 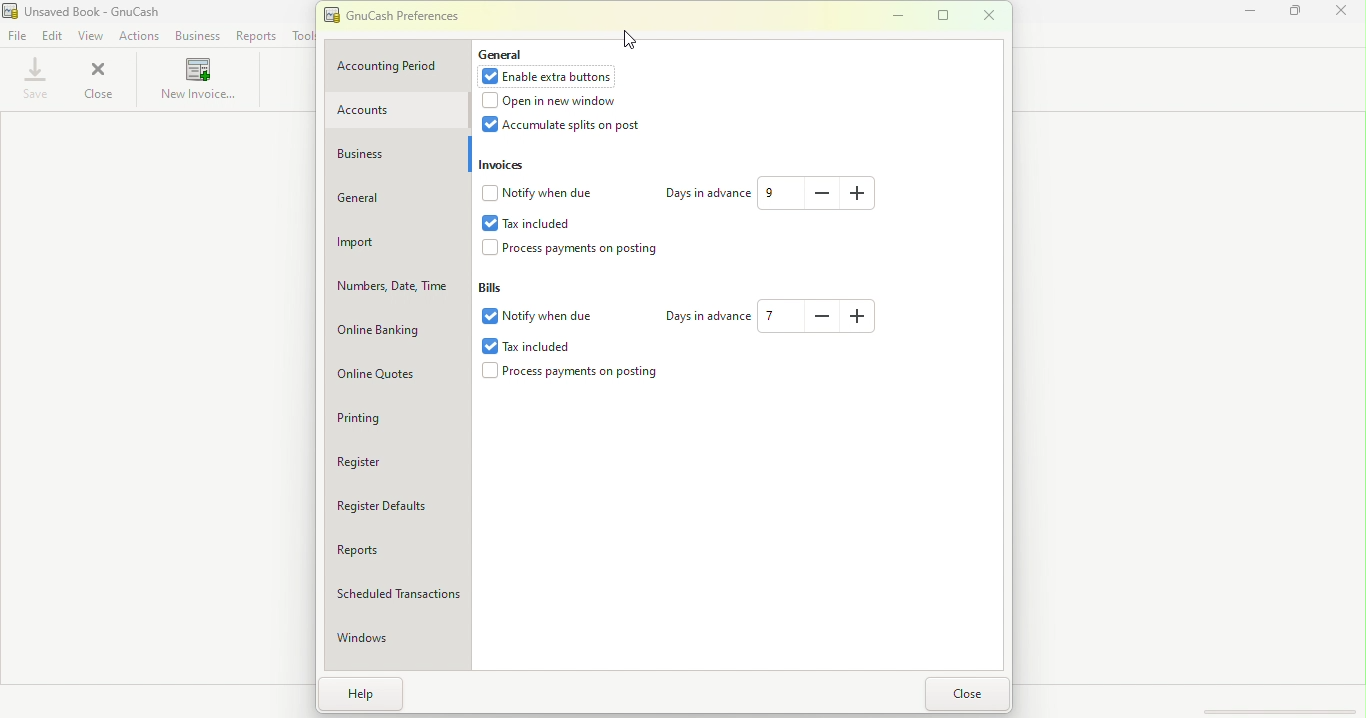 I want to click on Business, so click(x=197, y=35).